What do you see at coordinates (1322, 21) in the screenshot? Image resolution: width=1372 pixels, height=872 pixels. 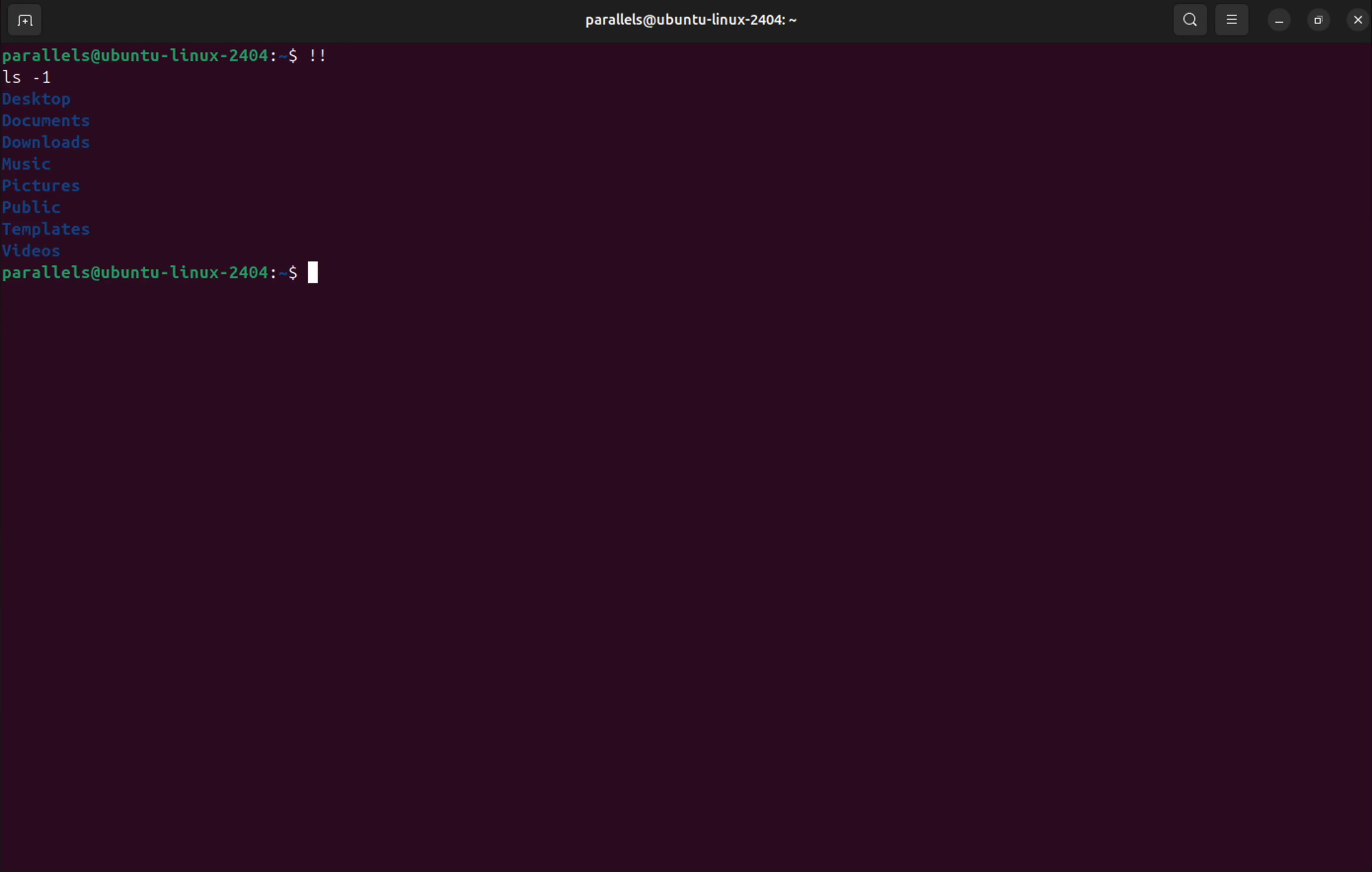 I see `resize` at bounding box center [1322, 21].